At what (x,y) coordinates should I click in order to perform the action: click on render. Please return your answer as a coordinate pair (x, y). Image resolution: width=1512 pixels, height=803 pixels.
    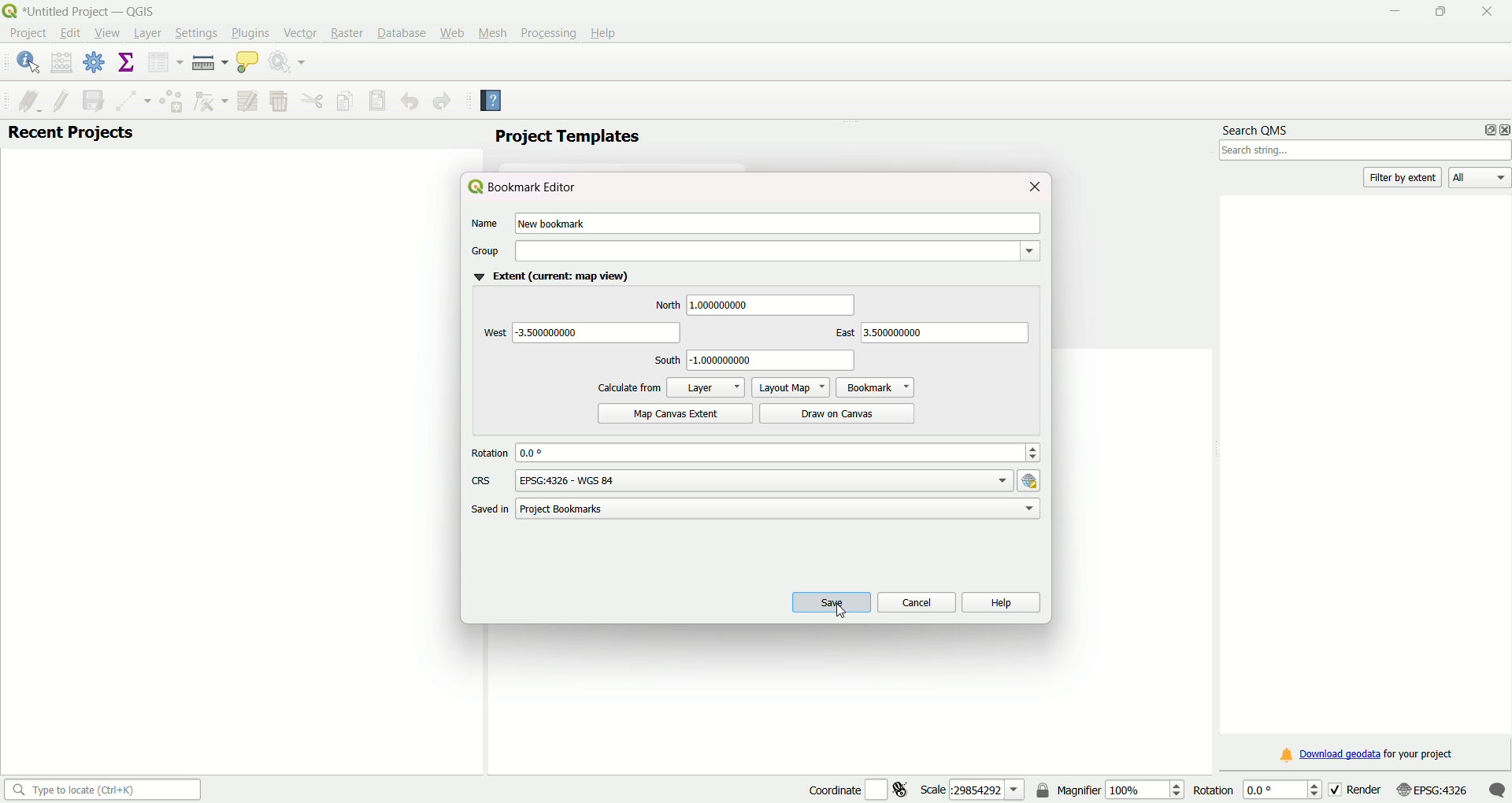
    Looking at the image, I should click on (1354, 788).